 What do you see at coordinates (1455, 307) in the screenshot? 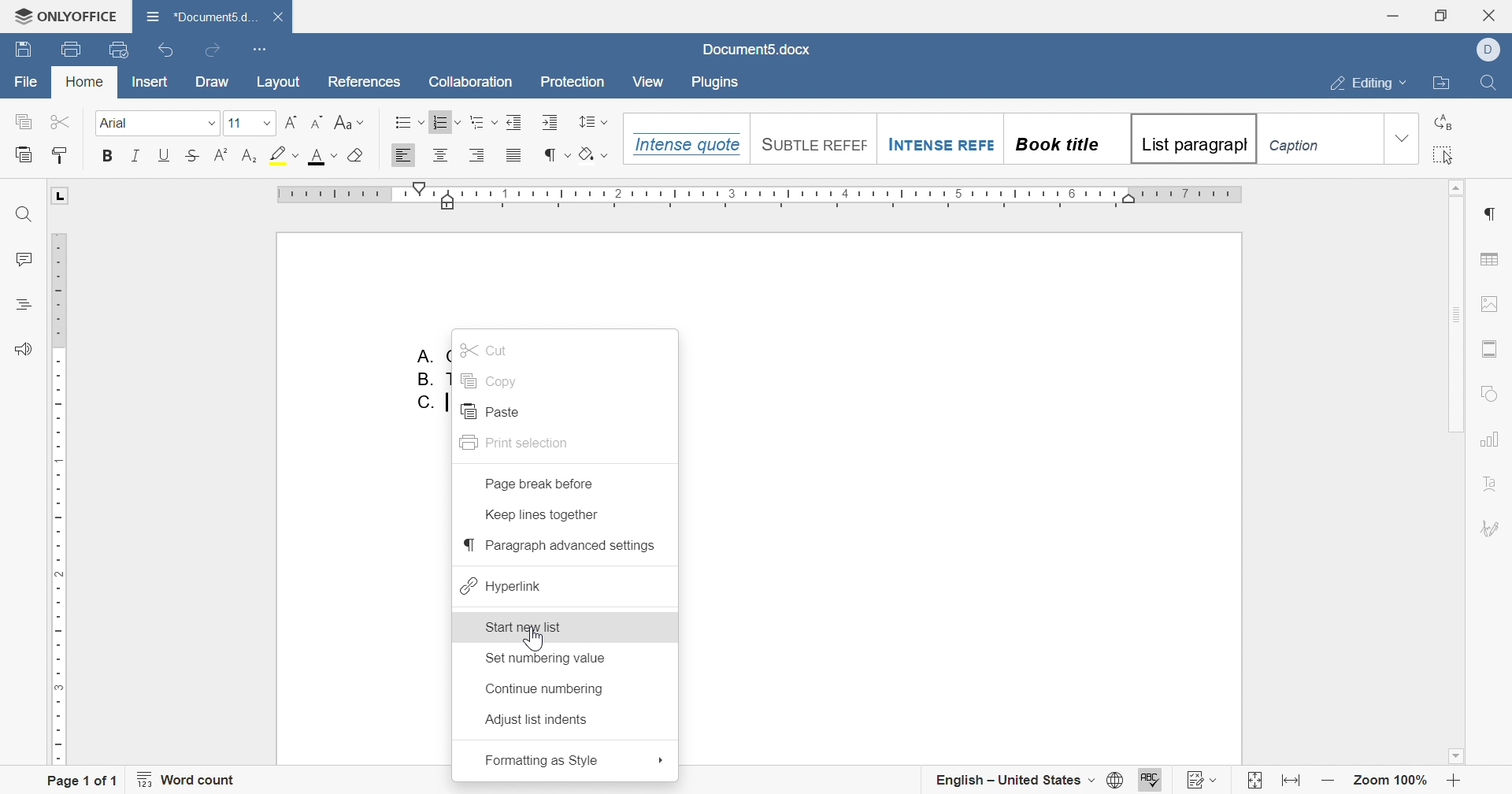
I see `scroll bar` at bounding box center [1455, 307].